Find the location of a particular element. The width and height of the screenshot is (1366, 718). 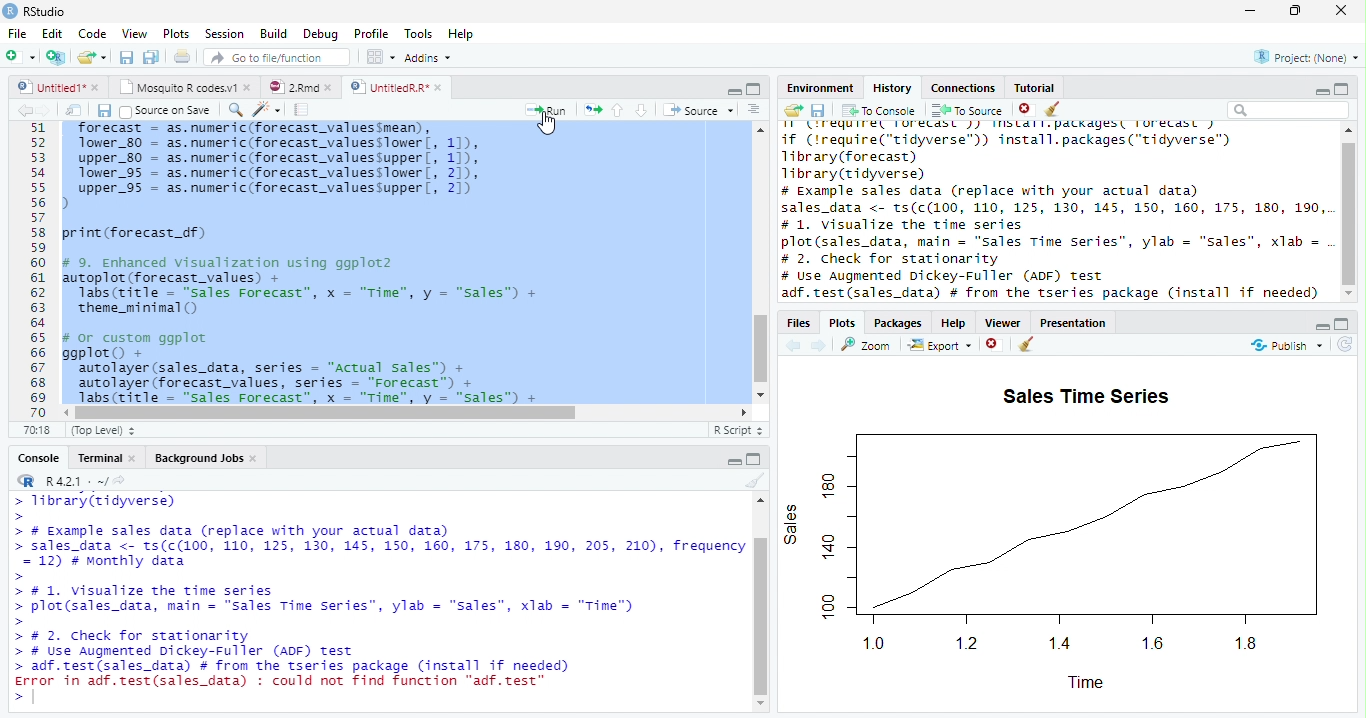

Presentation is located at coordinates (1073, 323).